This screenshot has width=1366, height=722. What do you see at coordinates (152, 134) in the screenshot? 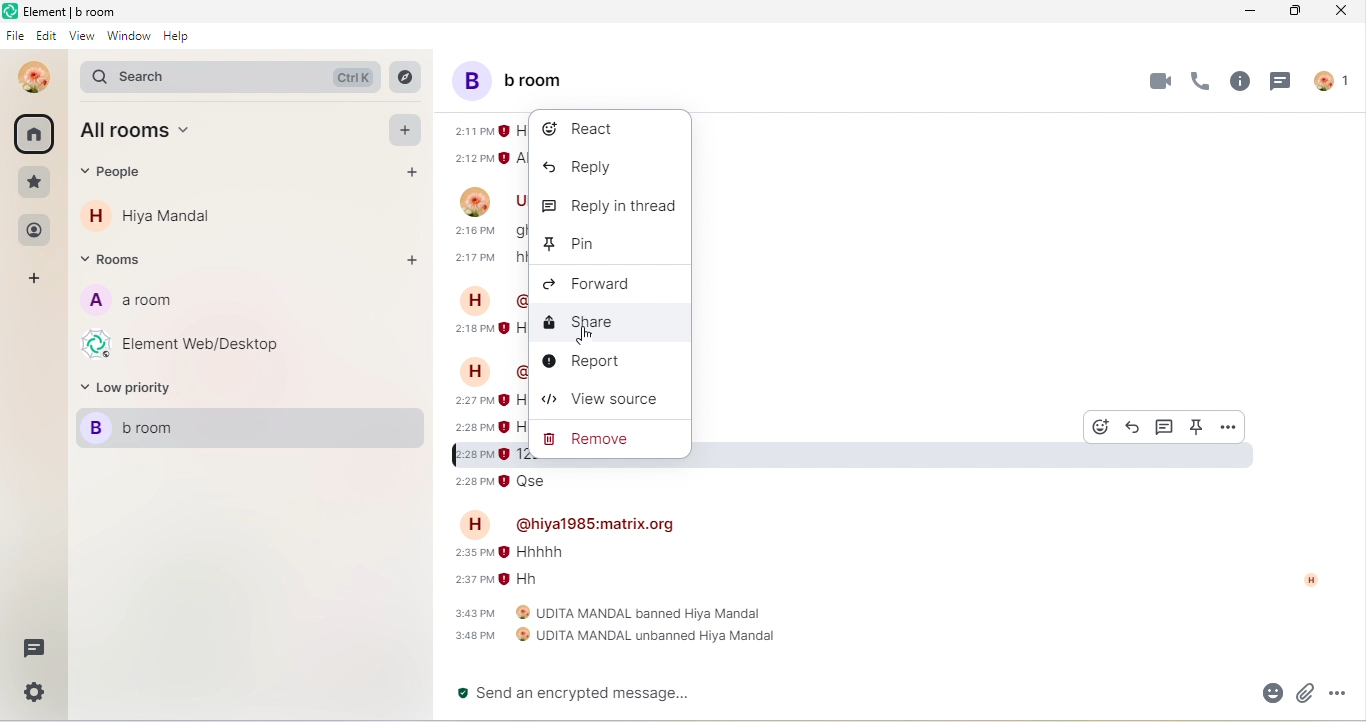
I see `all room` at bounding box center [152, 134].